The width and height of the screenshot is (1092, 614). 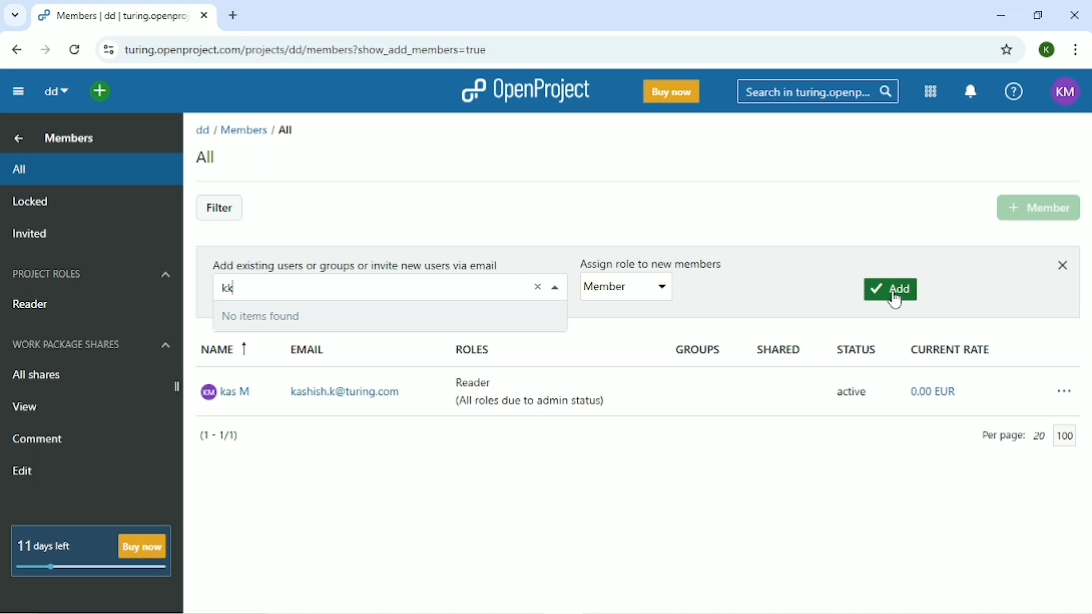 What do you see at coordinates (855, 349) in the screenshot?
I see `Status` at bounding box center [855, 349].